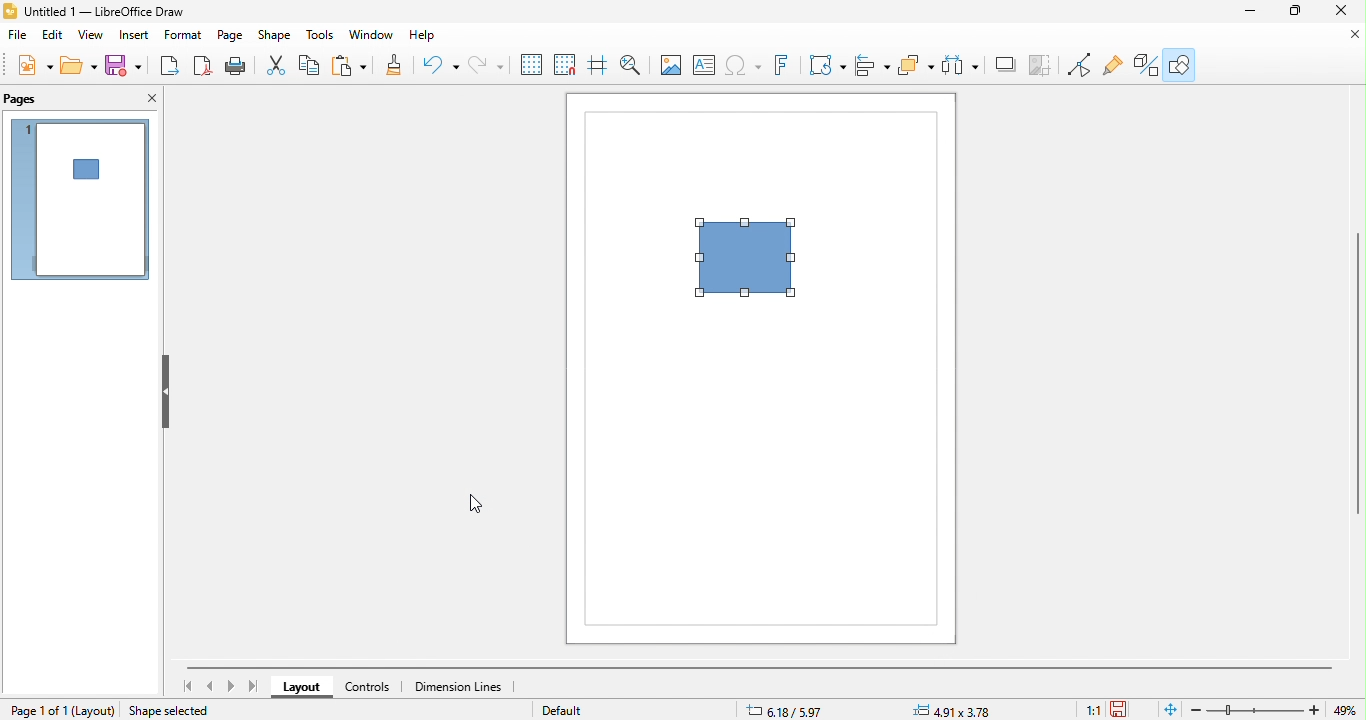 The width and height of the screenshot is (1366, 720). Describe the element at coordinates (1005, 65) in the screenshot. I see `crop image` at that location.